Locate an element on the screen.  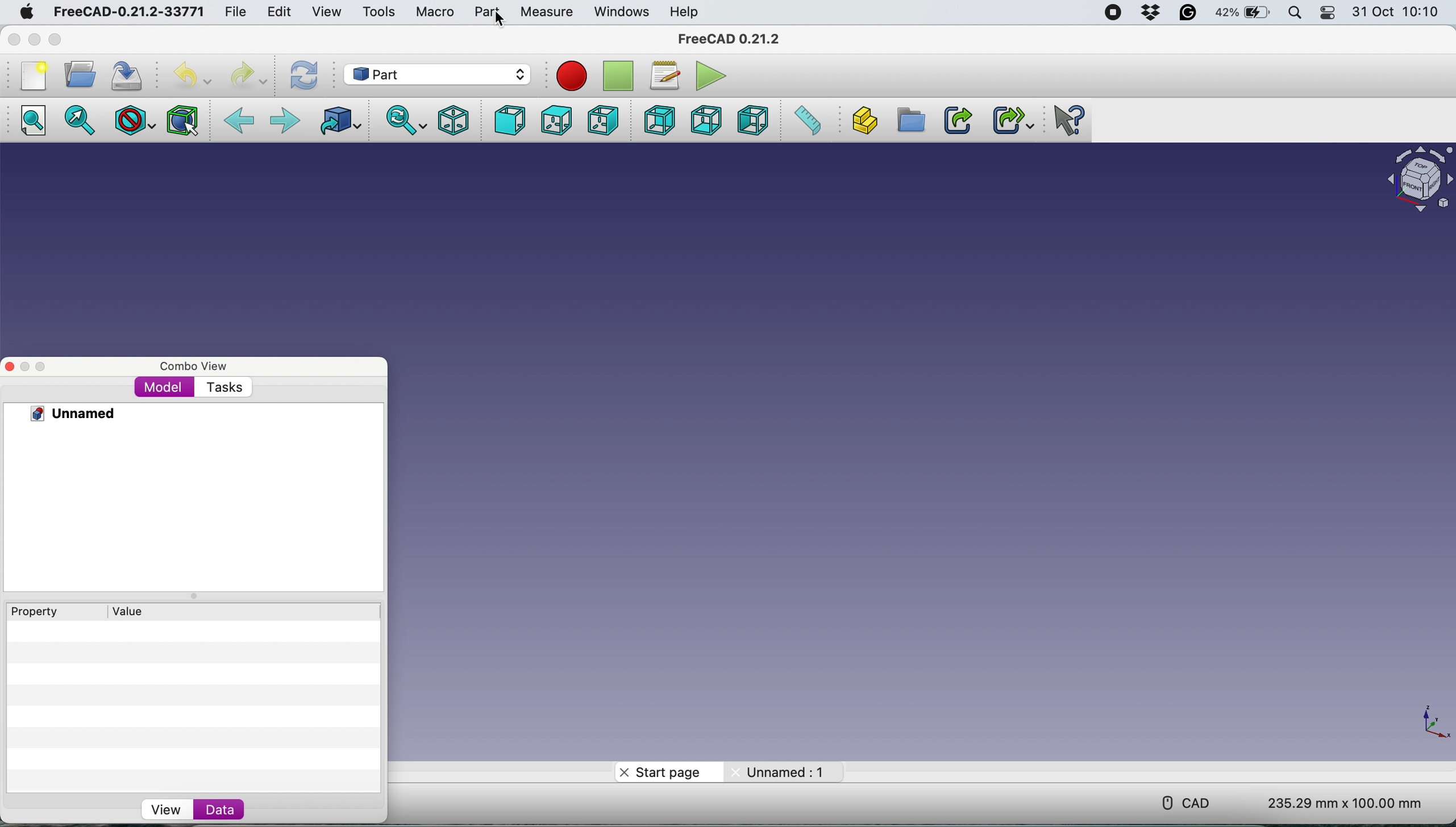
Execute macros is located at coordinates (712, 76).